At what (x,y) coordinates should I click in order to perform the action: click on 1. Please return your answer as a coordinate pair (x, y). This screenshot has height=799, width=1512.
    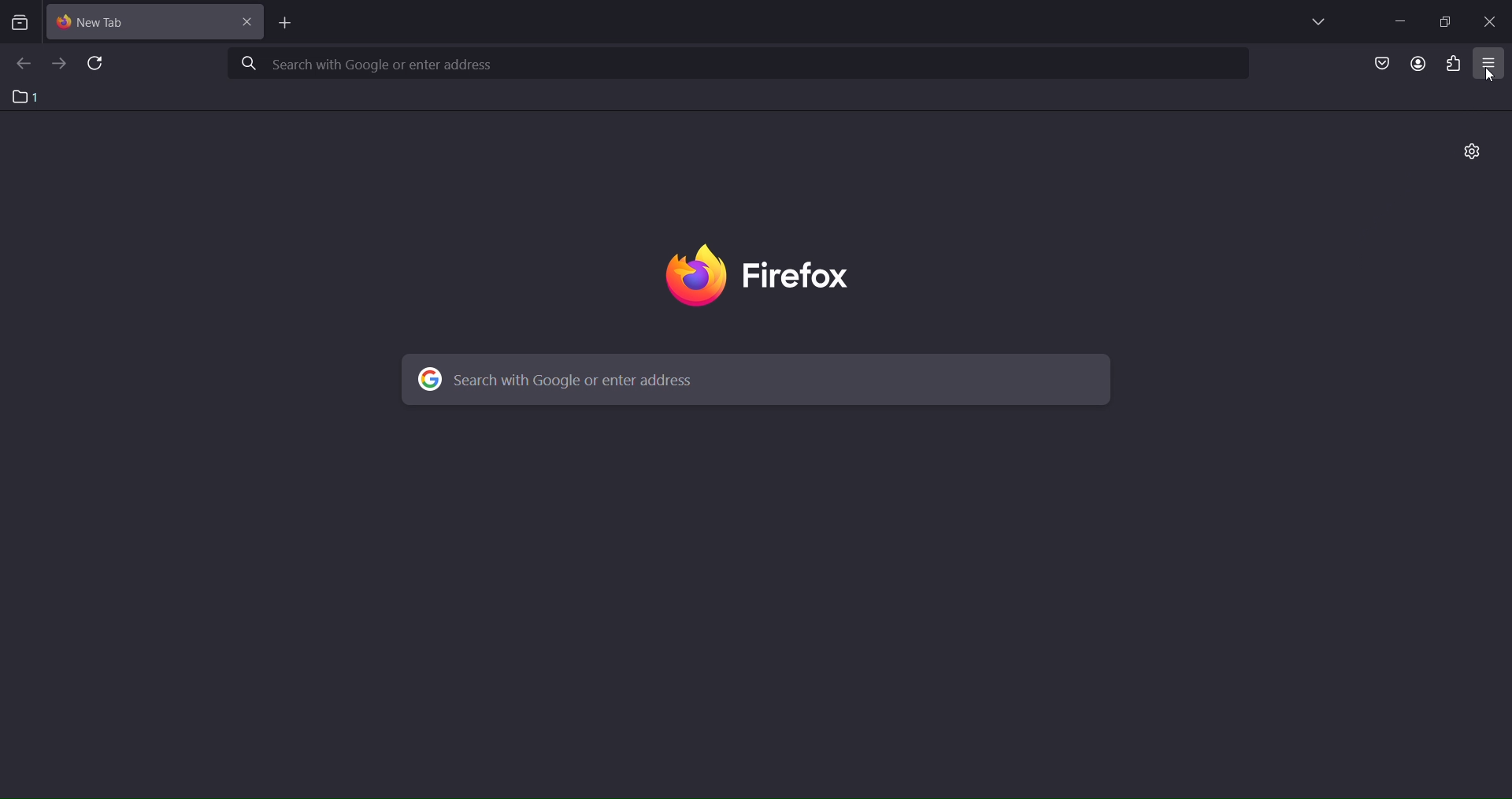
    Looking at the image, I should click on (26, 96).